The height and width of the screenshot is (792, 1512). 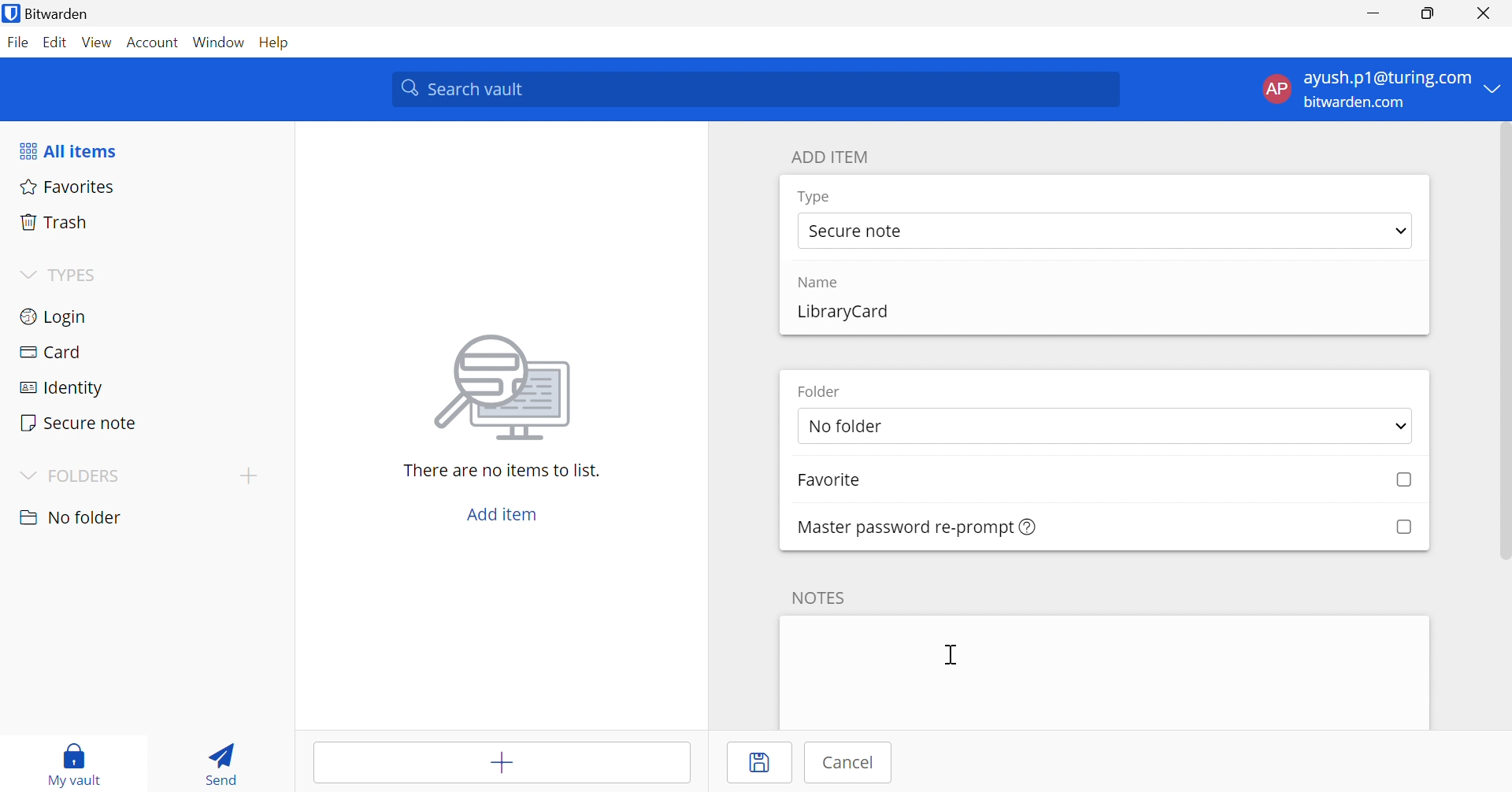 What do you see at coordinates (1503, 344) in the screenshot?
I see `Scroll Bar` at bounding box center [1503, 344].